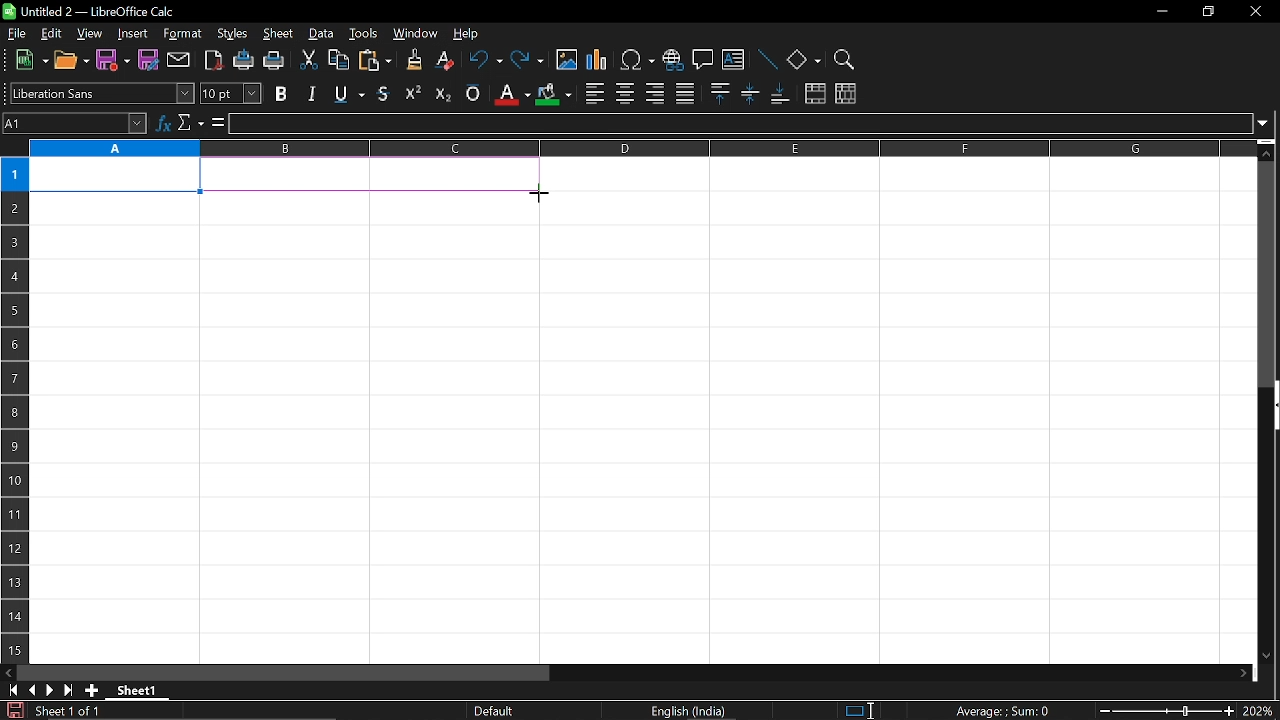 The height and width of the screenshot is (720, 1280). Describe the element at coordinates (30, 690) in the screenshot. I see `previous sheet` at that location.